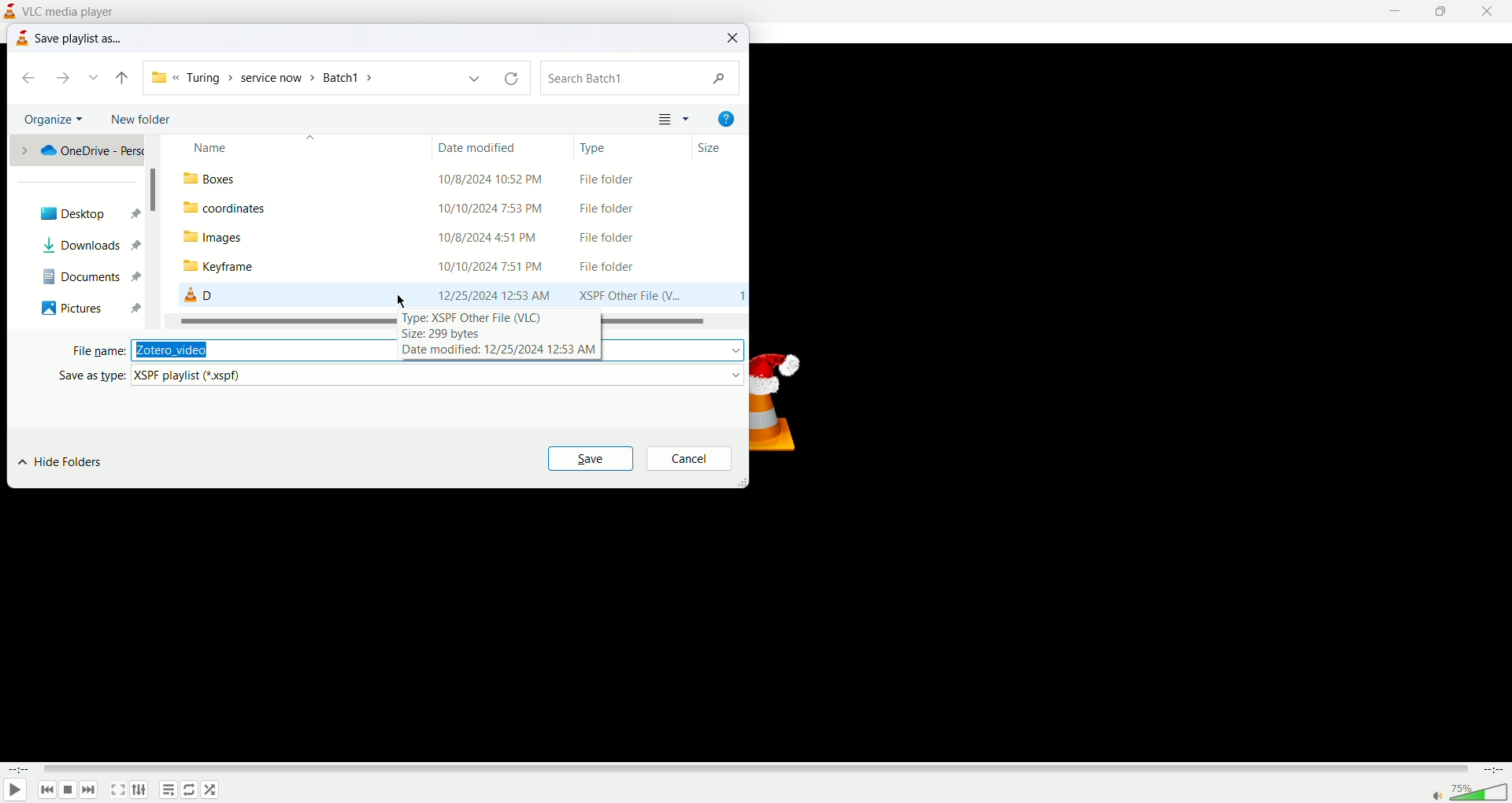  Describe the element at coordinates (188, 790) in the screenshot. I see `toggle loop` at that location.